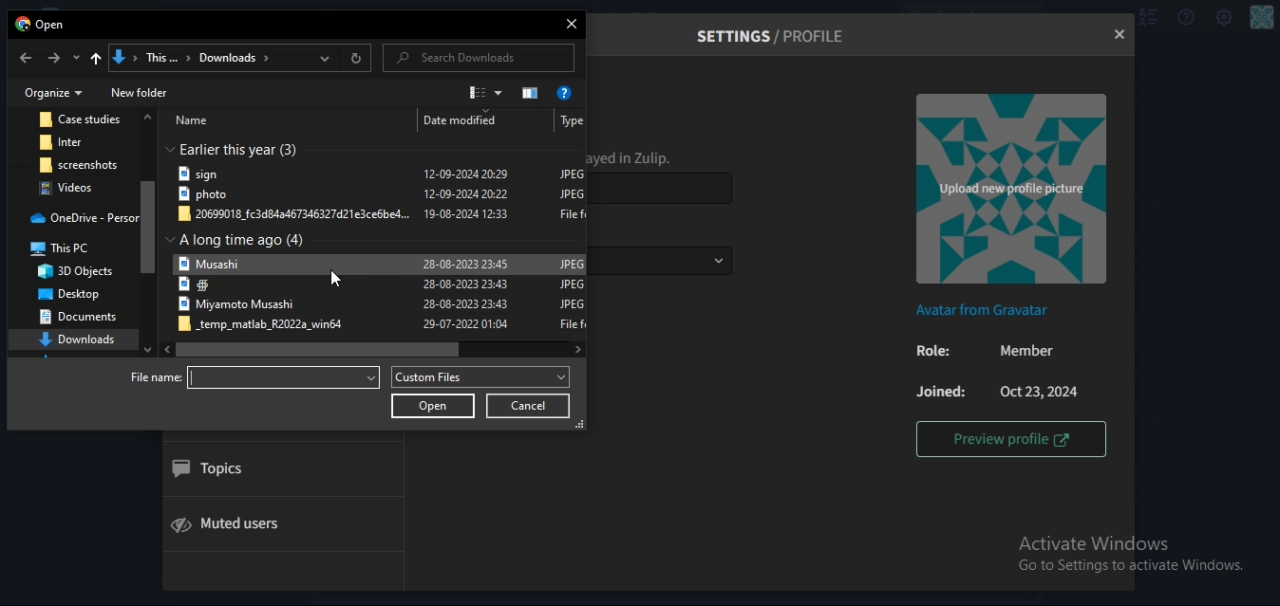 This screenshot has width=1280, height=606. What do you see at coordinates (463, 58) in the screenshot?
I see `search` at bounding box center [463, 58].